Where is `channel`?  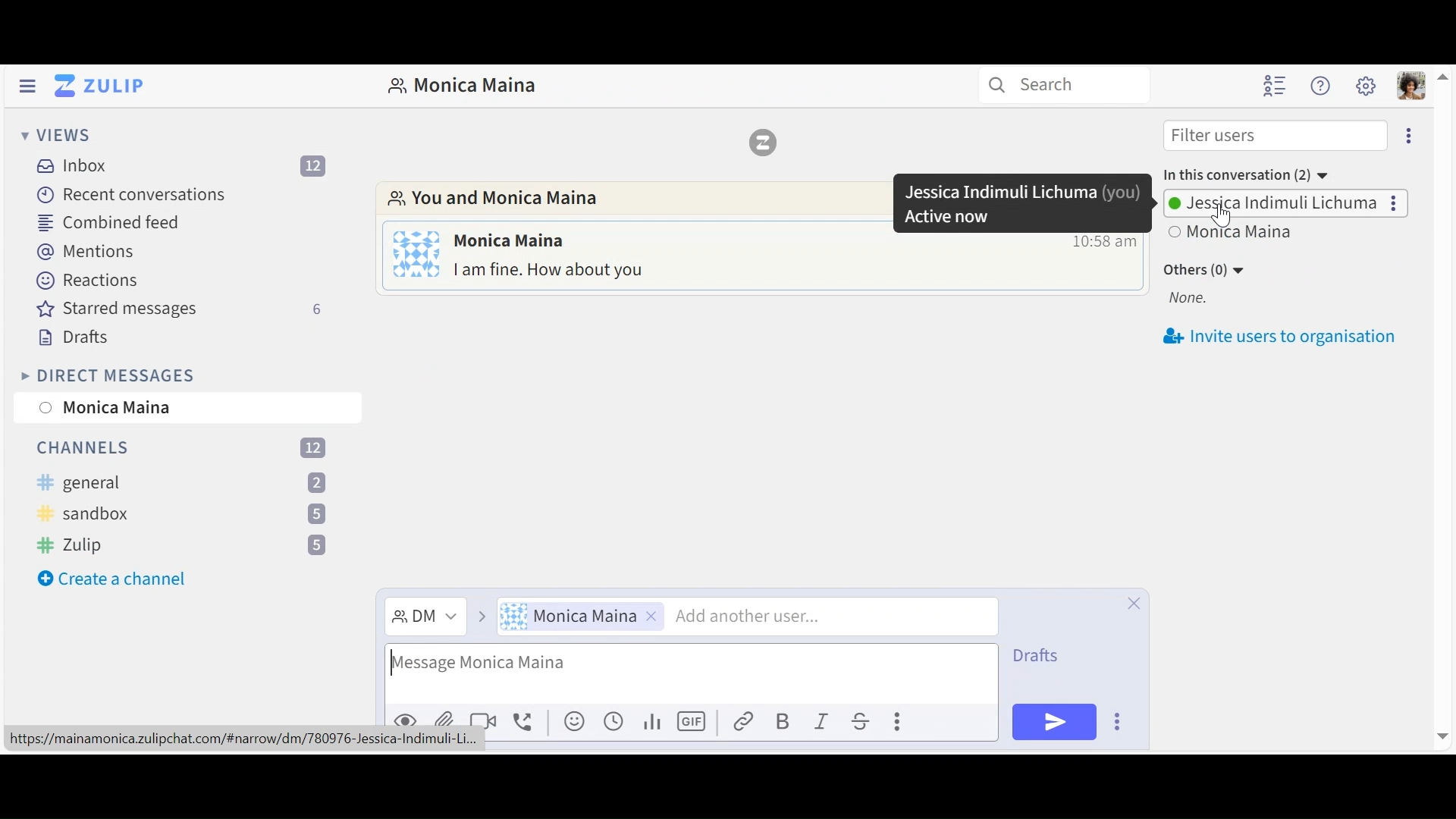 channel is located at coordinates (184, 513).